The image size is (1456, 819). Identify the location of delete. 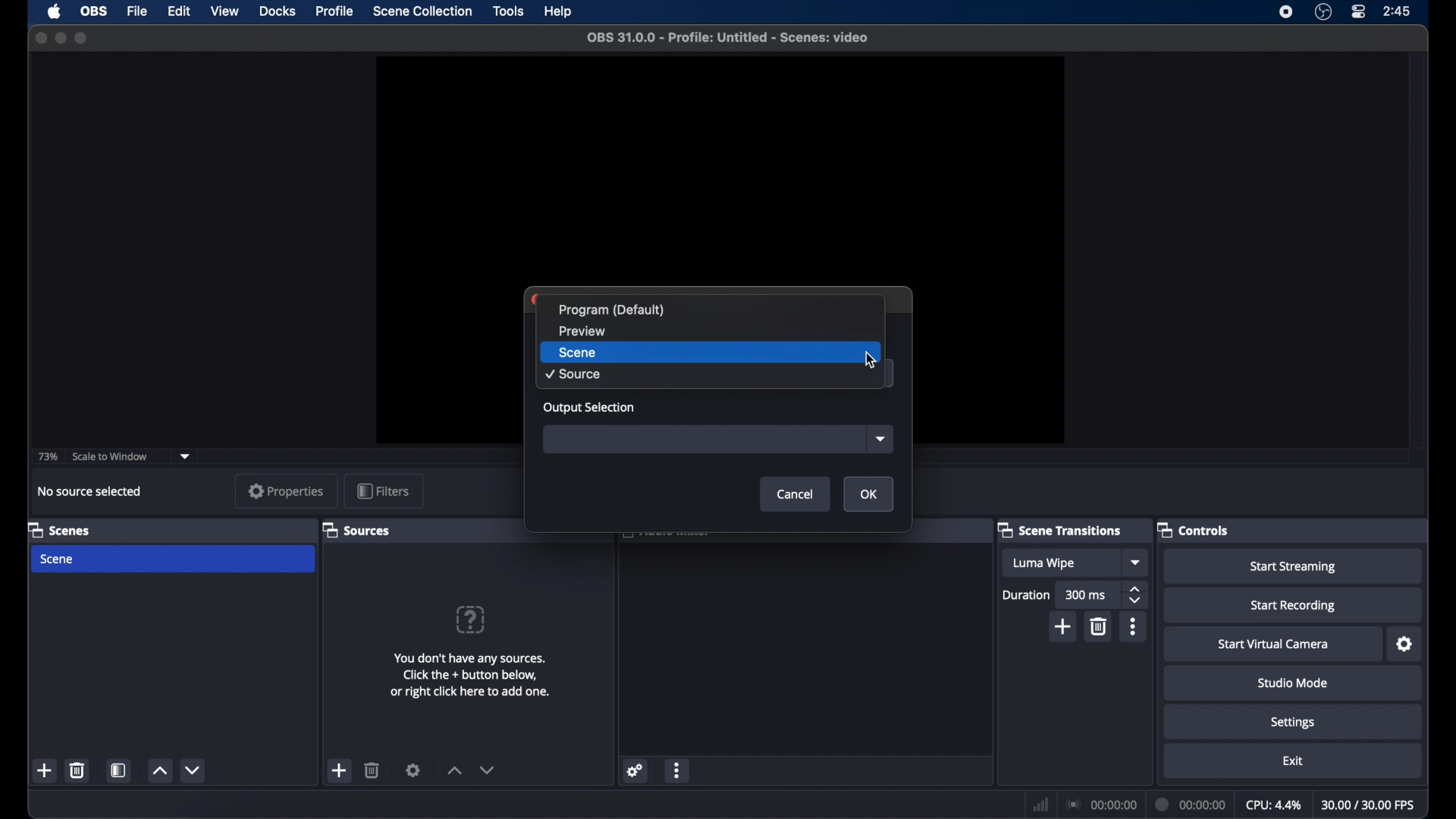
(1098, 627).